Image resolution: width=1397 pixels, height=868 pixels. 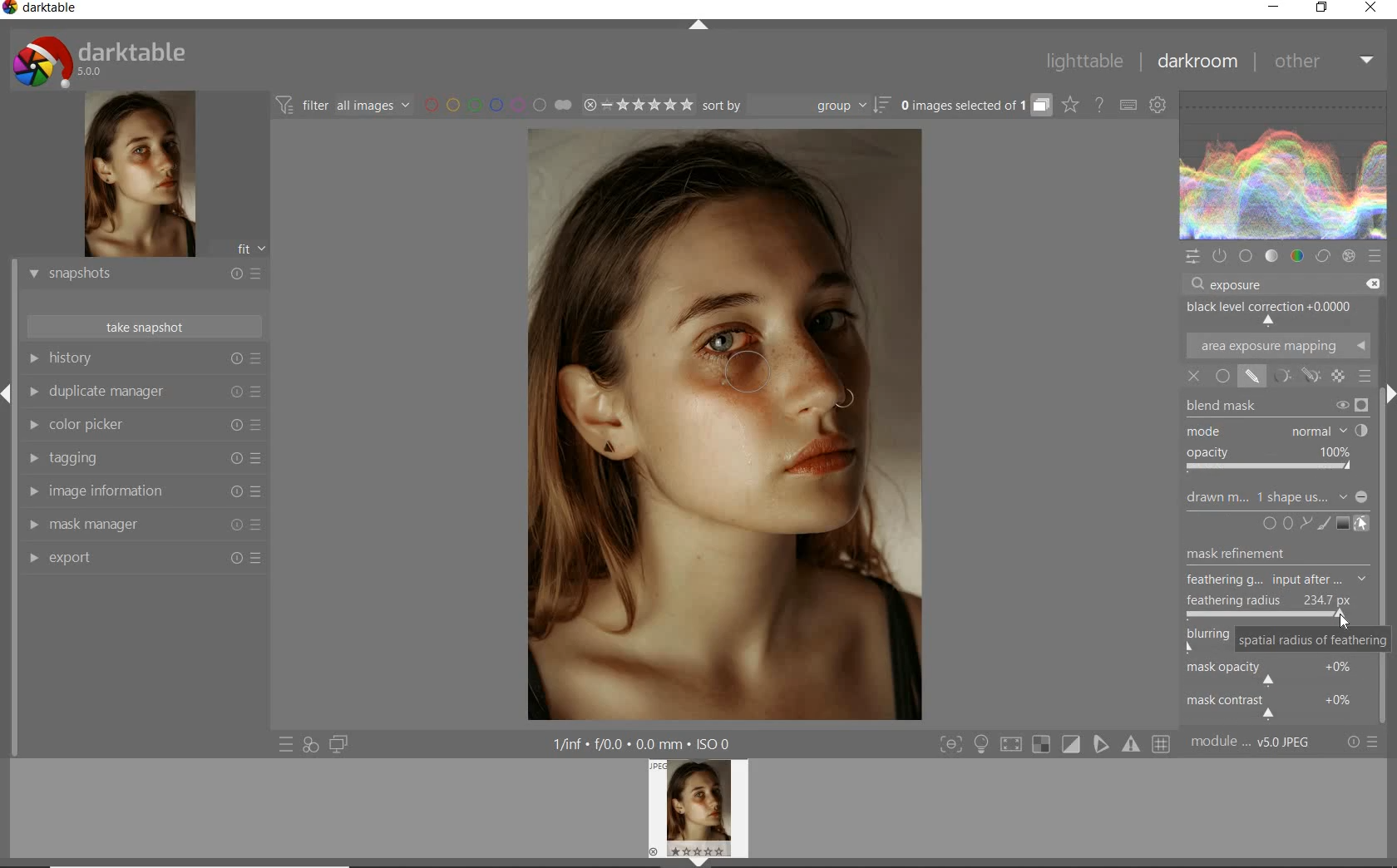 I want to click on take snapshots, so click(x=146, y=327).